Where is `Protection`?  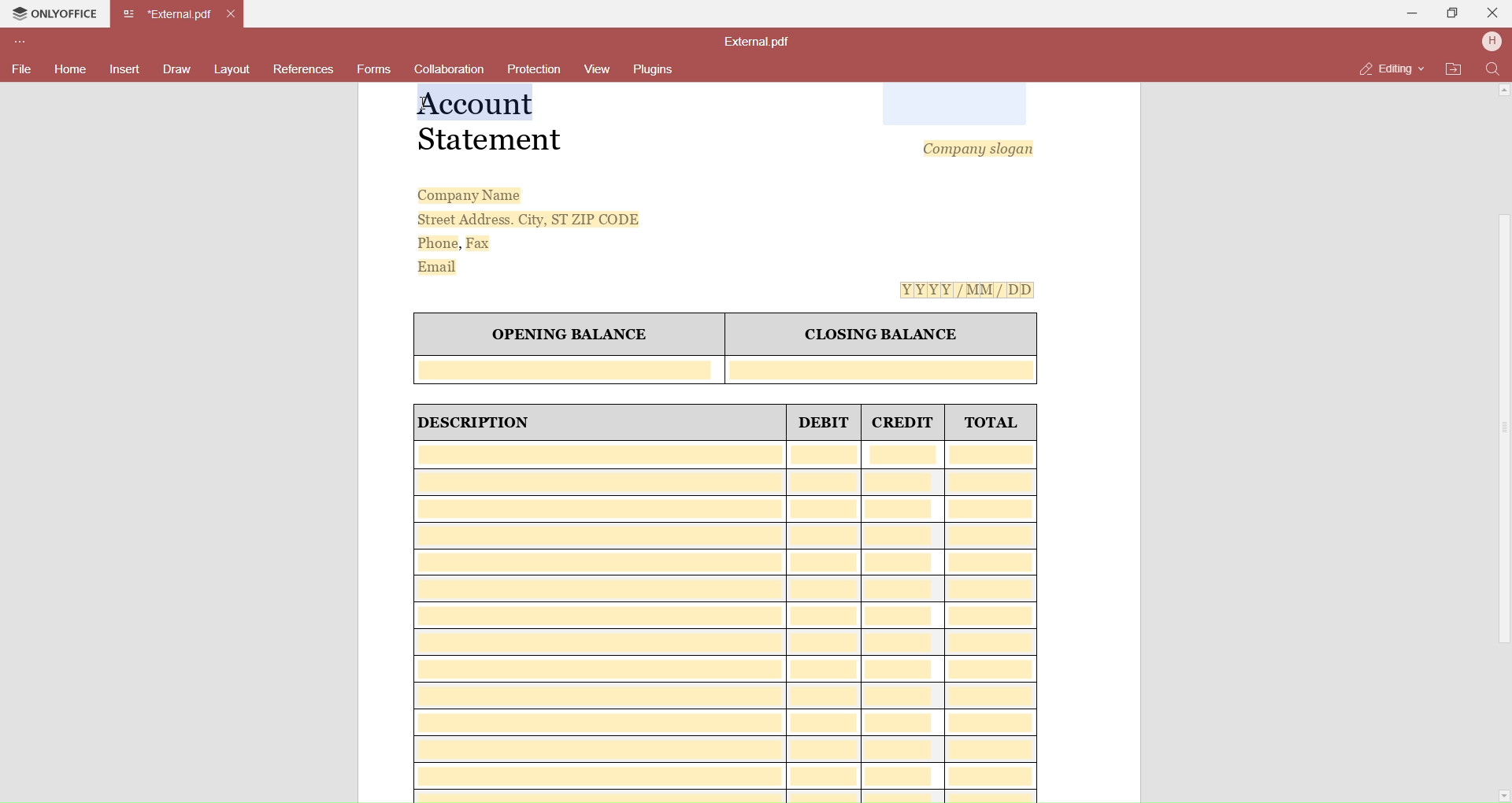
Protection is located at coordinates (535, 72).